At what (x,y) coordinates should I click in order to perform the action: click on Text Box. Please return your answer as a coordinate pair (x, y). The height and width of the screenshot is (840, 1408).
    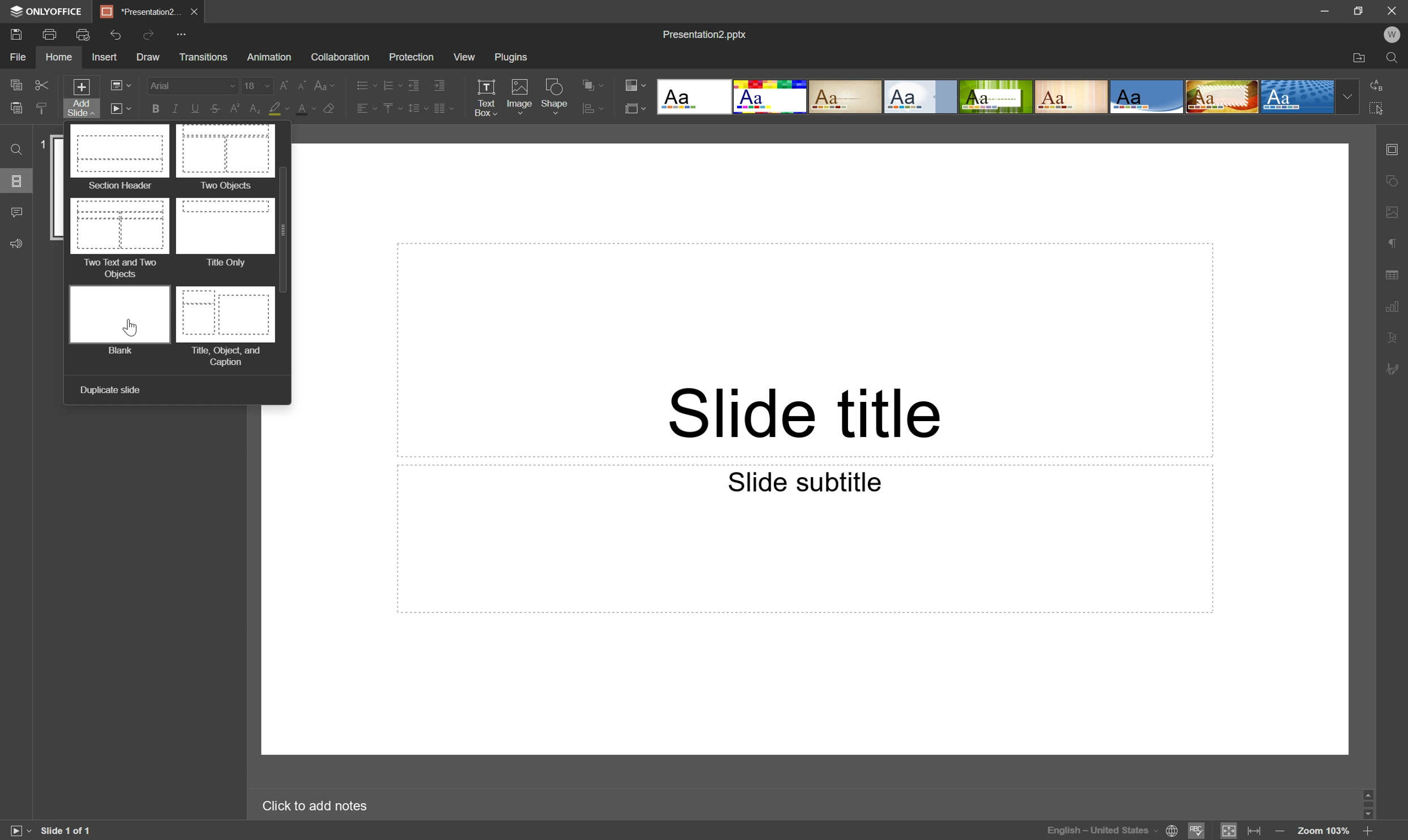
    Looking at the image, I should click on (489, 96).